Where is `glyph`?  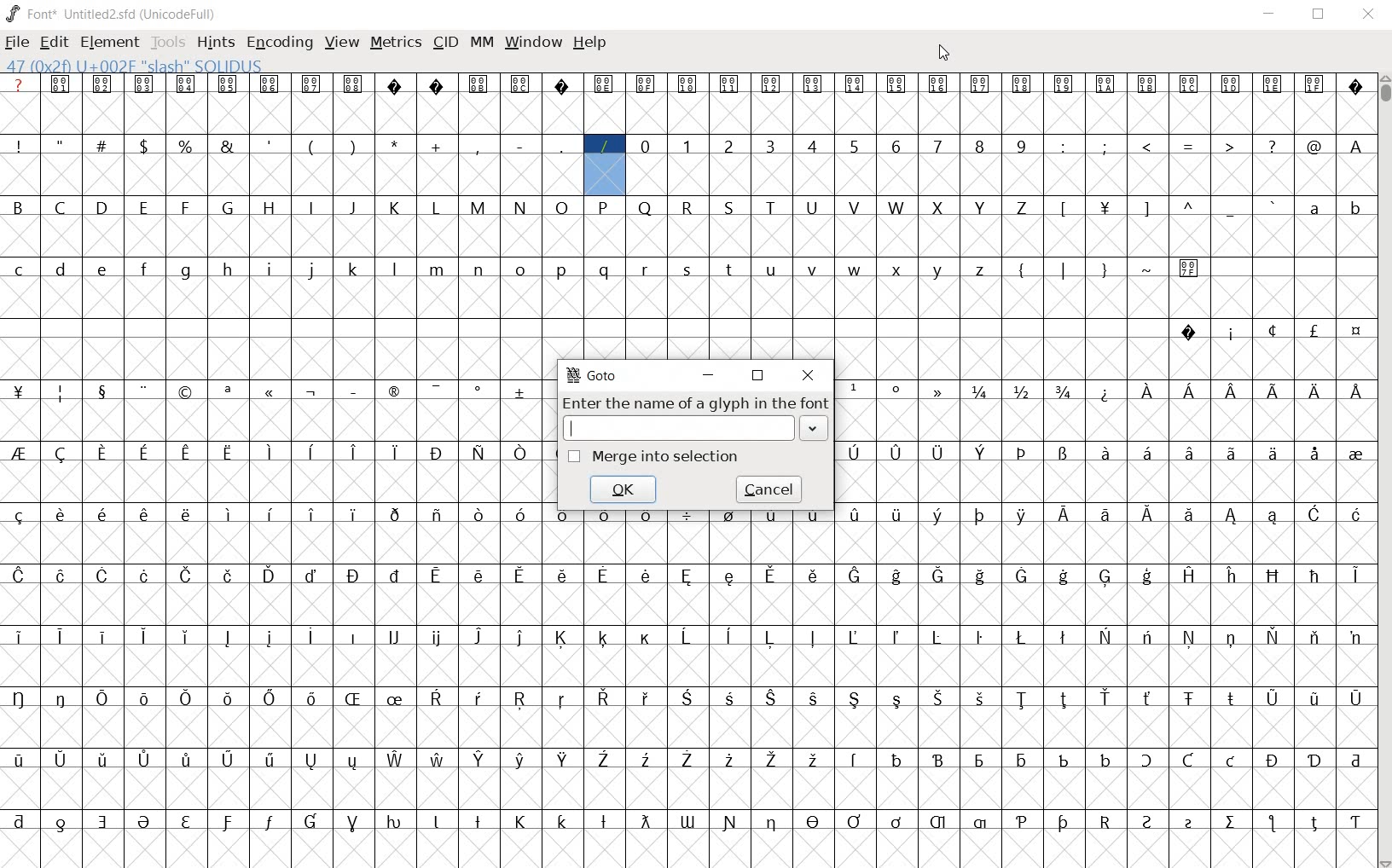
glyph is located at coordinates (1064, 147).